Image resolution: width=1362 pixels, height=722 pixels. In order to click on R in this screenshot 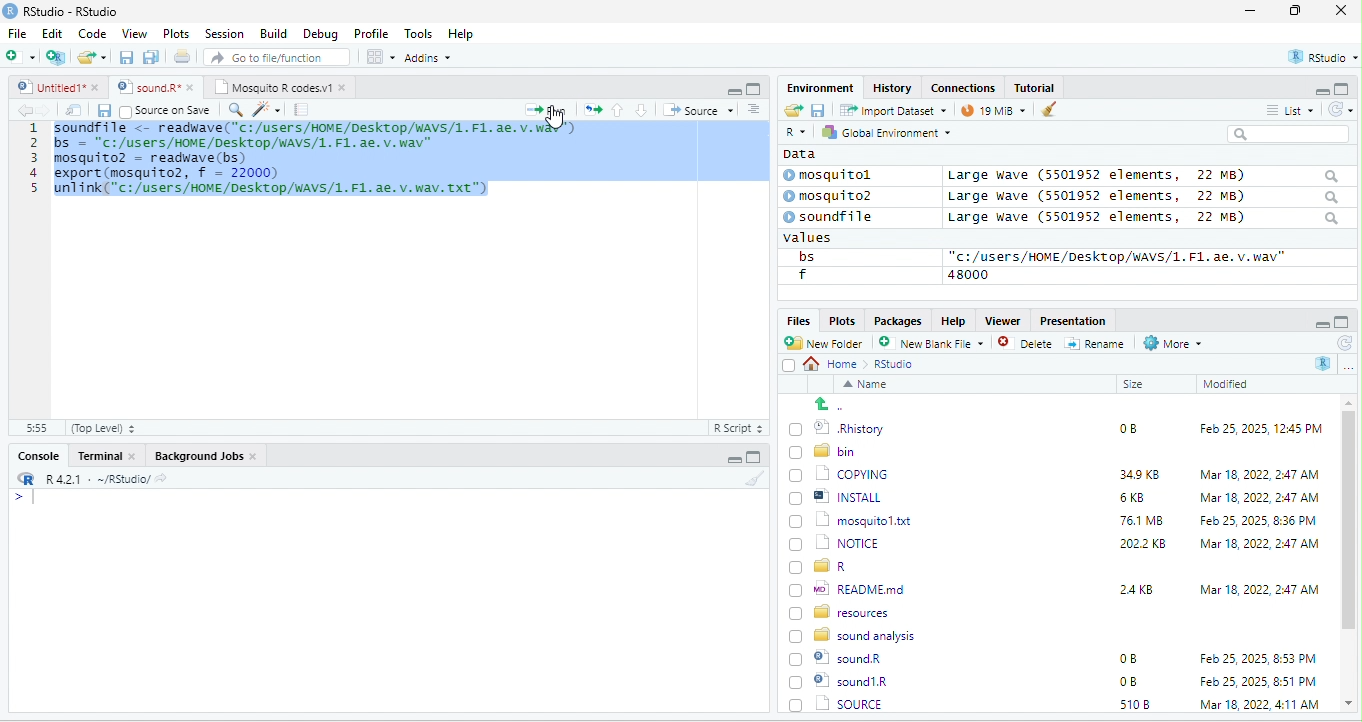, I will do `click(794, 133)`.